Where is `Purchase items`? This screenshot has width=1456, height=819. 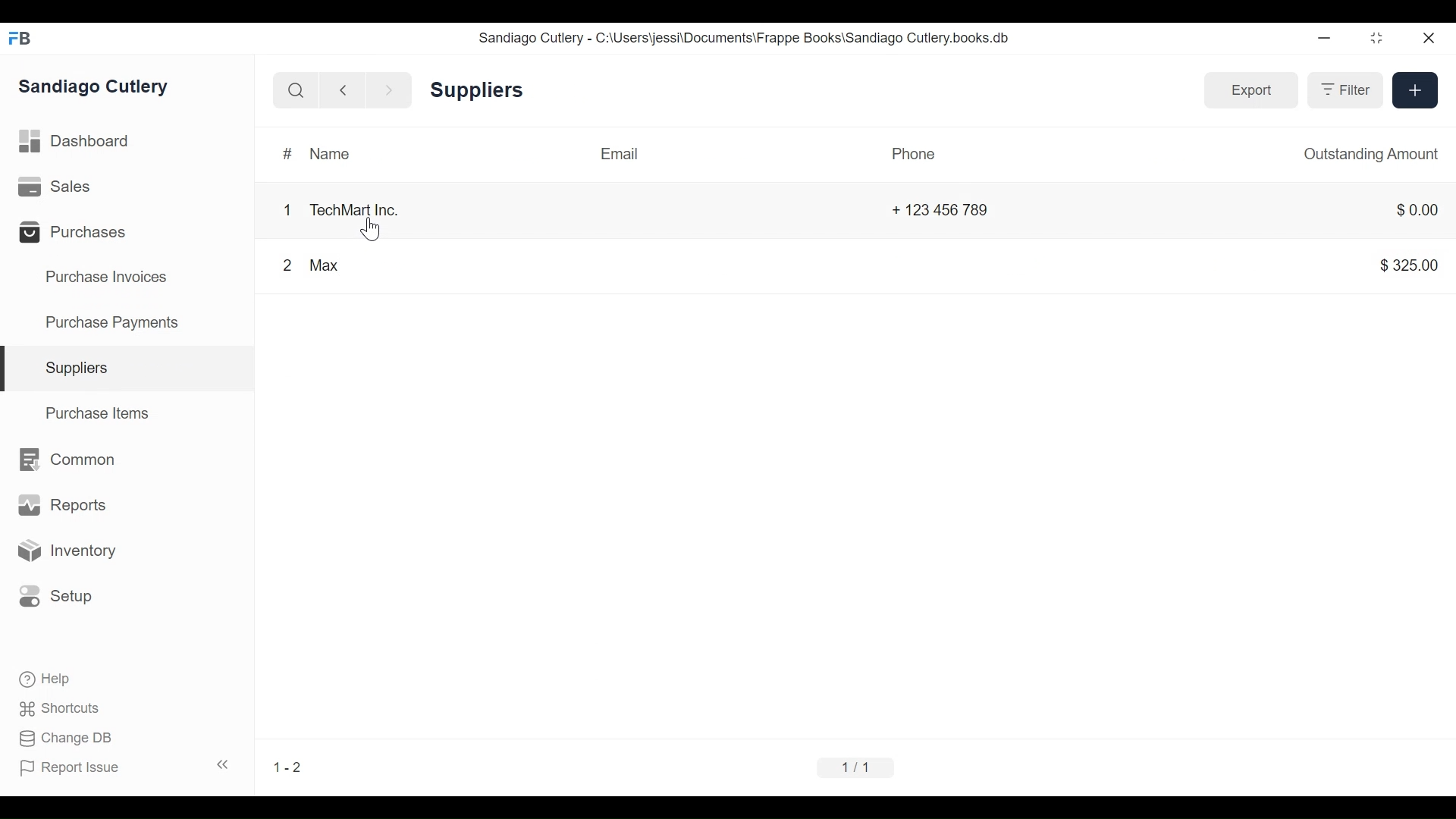
Purchase items is located at coordinates (100, 416).